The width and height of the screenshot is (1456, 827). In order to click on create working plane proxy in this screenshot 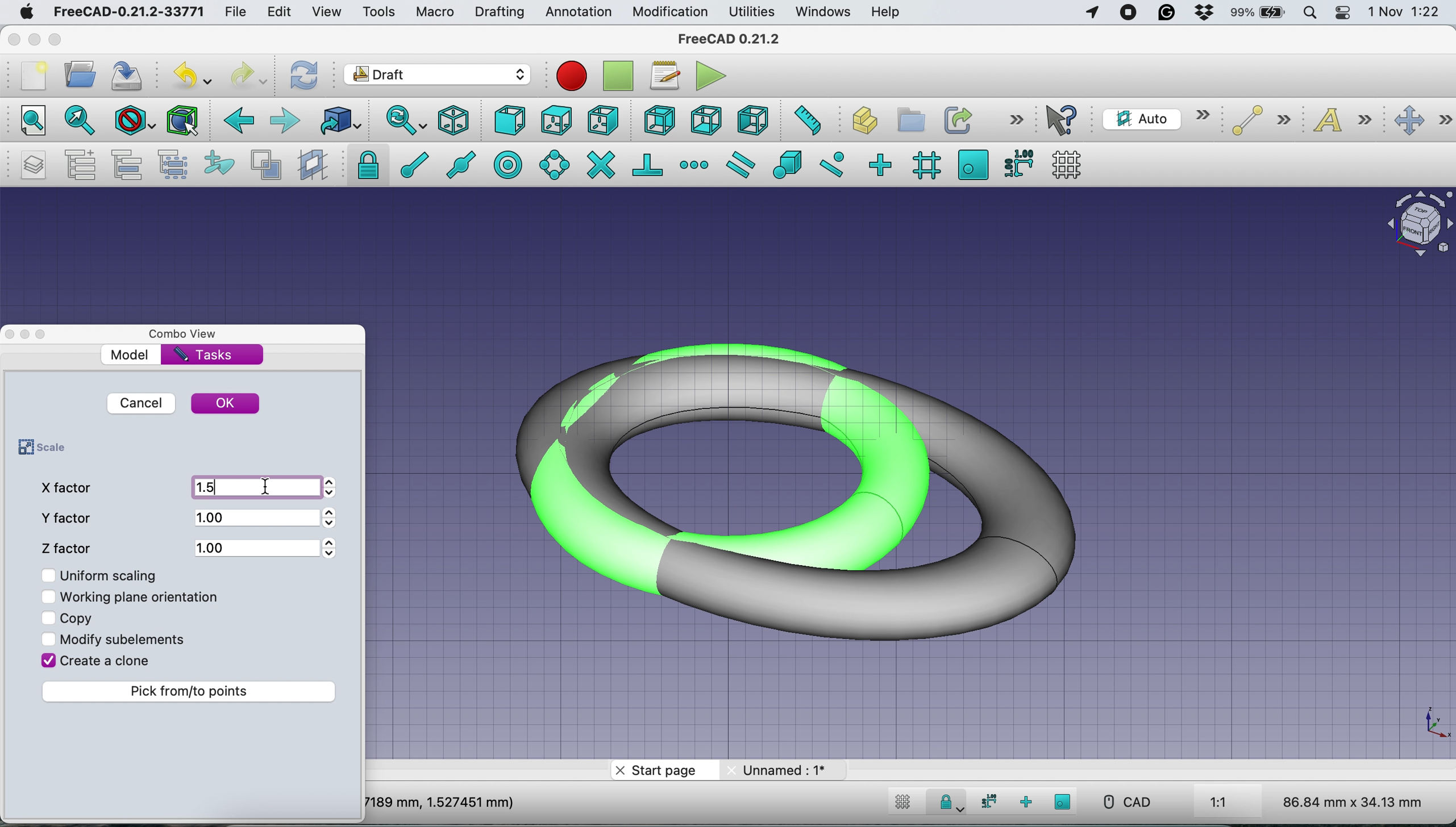, I will do `click(311, 164)`.